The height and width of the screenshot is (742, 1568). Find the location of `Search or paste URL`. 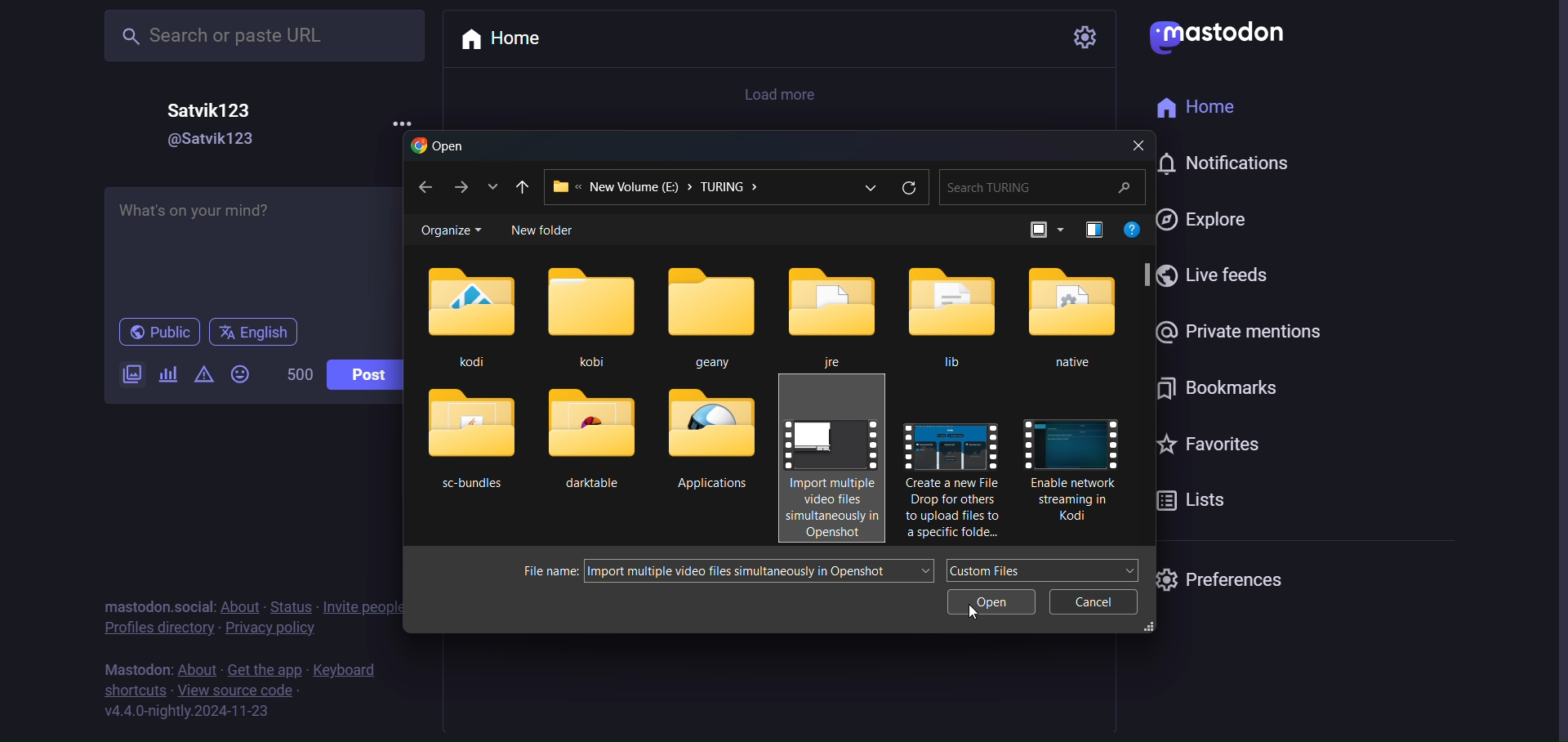

Search or paste URL is located at coordinates (263, 35).